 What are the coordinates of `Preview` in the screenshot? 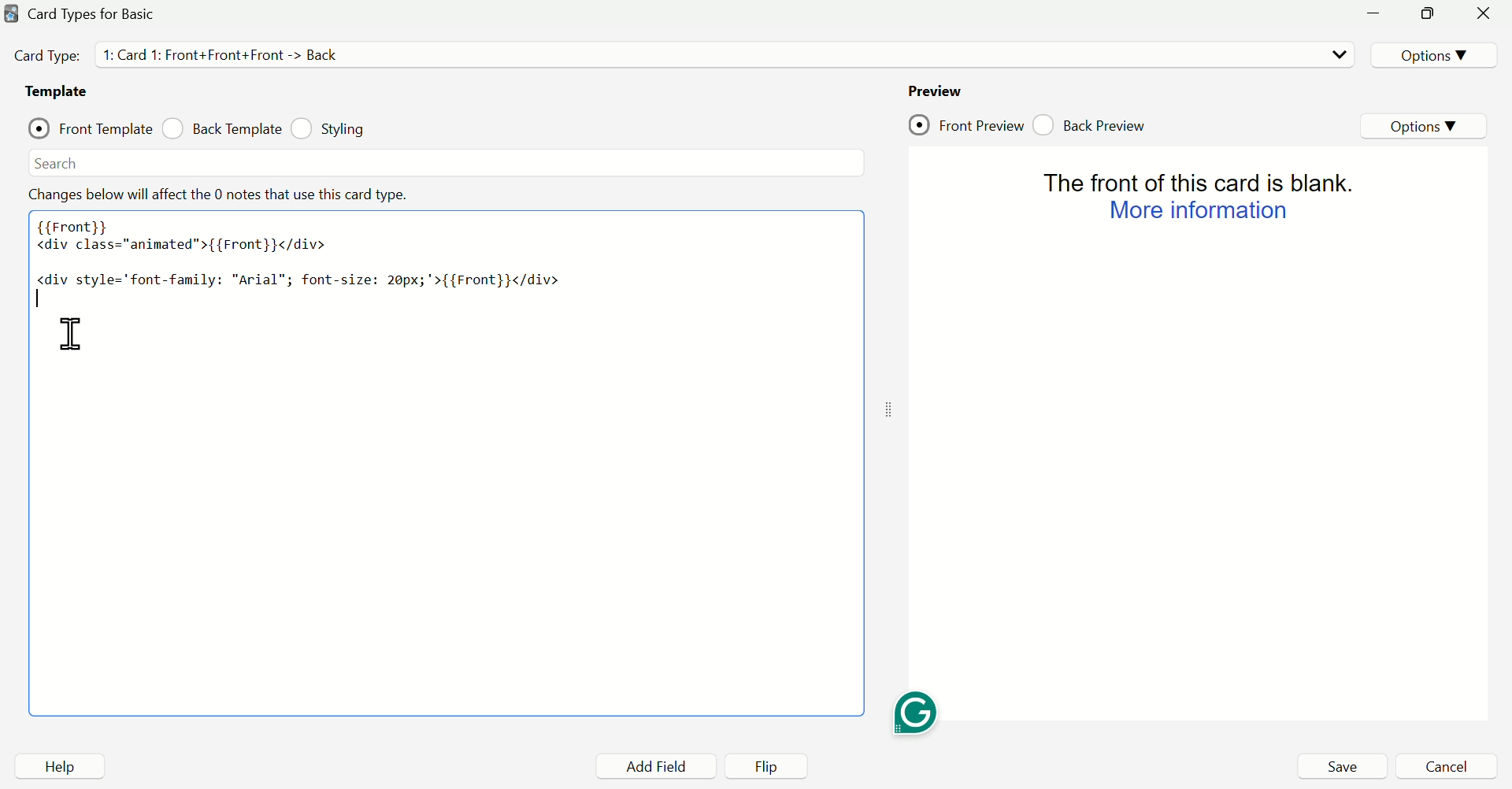 It's located at (936, 91).